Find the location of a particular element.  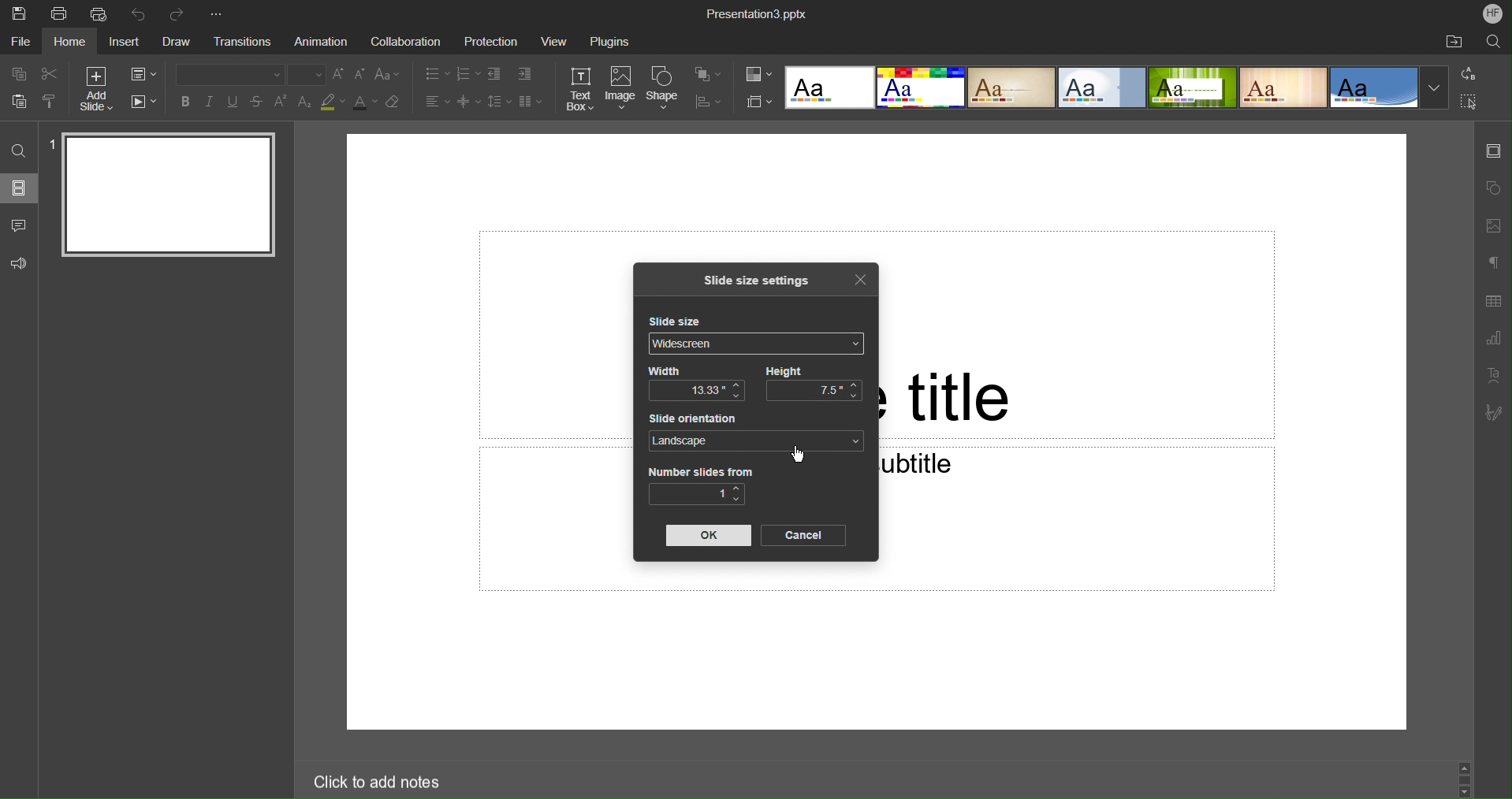

Decrease Spacing is located at coordinates (467, 102).